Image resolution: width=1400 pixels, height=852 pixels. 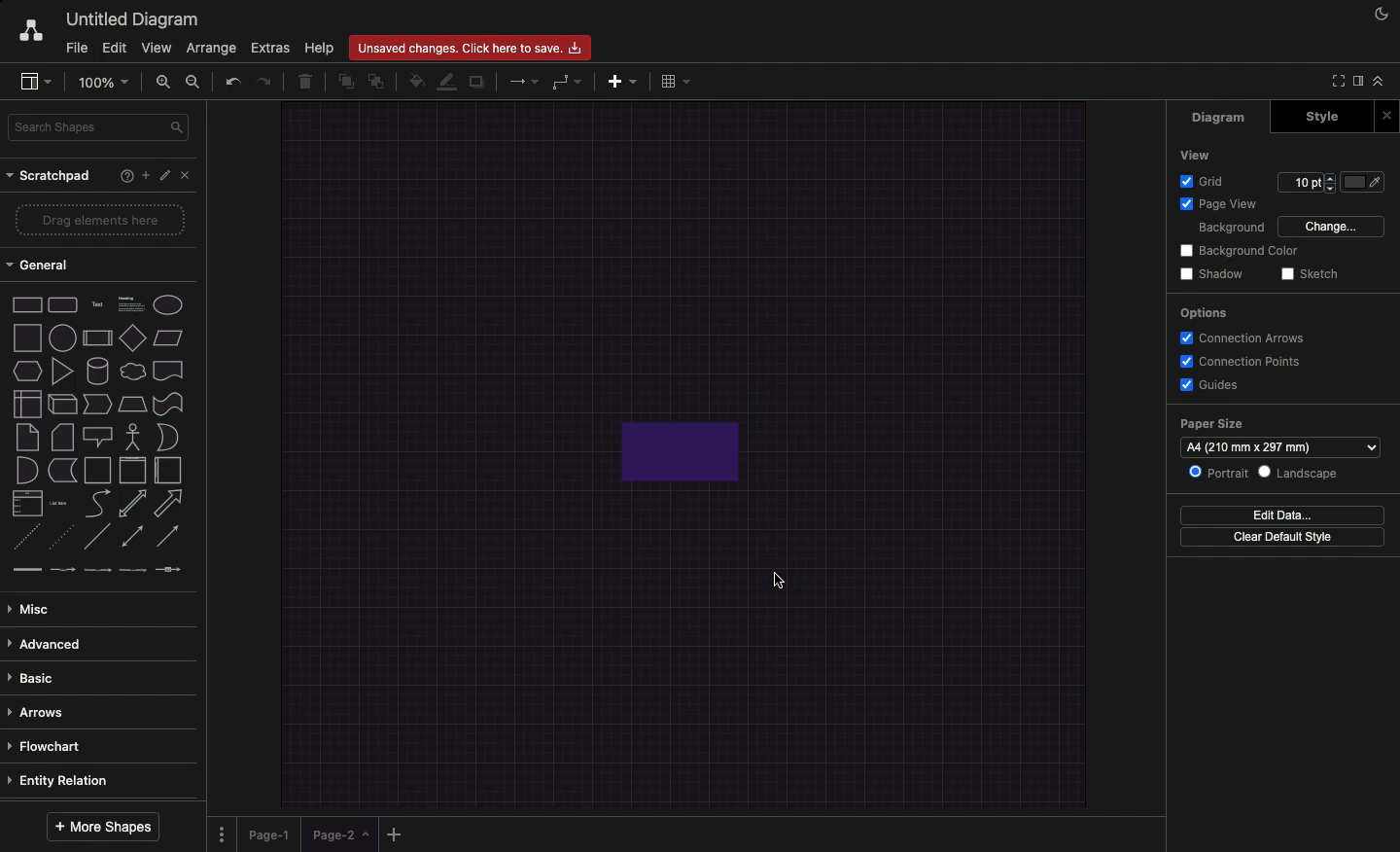 What do you see at coordinates (272, 831) in the screenshot?
I see `Page 1` at bounding box center [272, 831].